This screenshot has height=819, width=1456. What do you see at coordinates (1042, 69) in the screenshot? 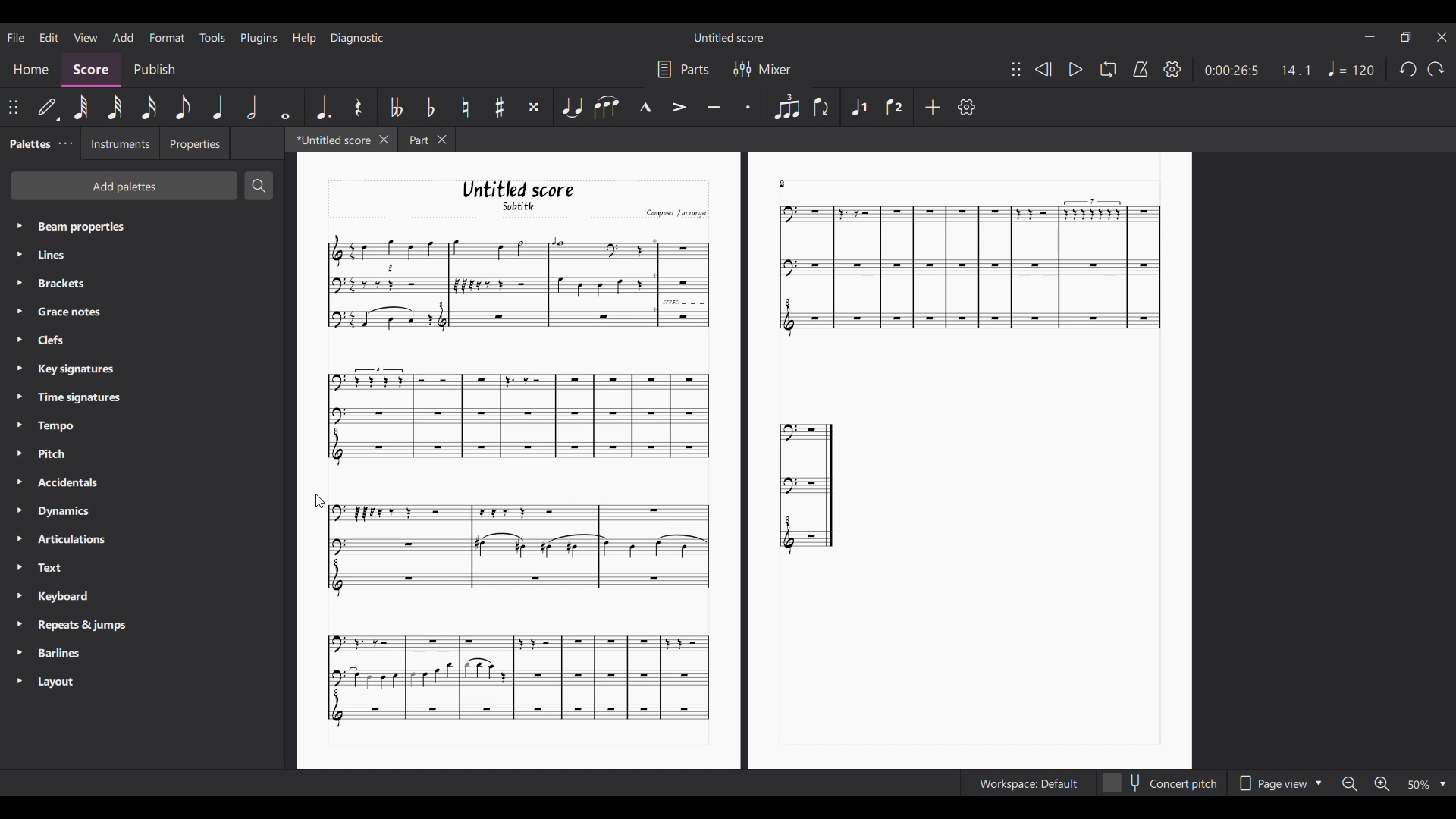
I see `Rewind` at bounding box center [1042, 69].